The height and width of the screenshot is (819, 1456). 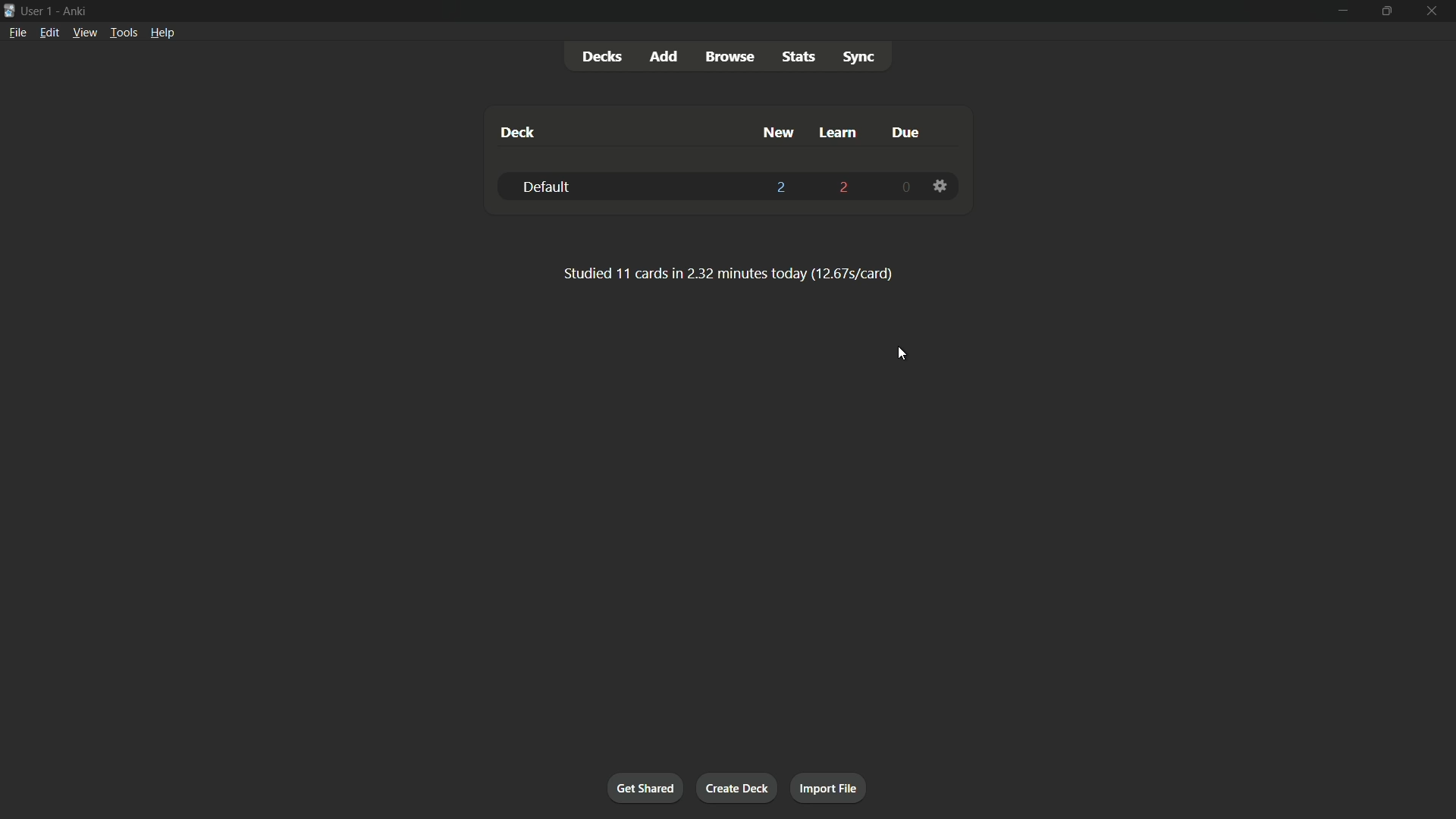 I want to click on learn, so click(x=839, y=132).